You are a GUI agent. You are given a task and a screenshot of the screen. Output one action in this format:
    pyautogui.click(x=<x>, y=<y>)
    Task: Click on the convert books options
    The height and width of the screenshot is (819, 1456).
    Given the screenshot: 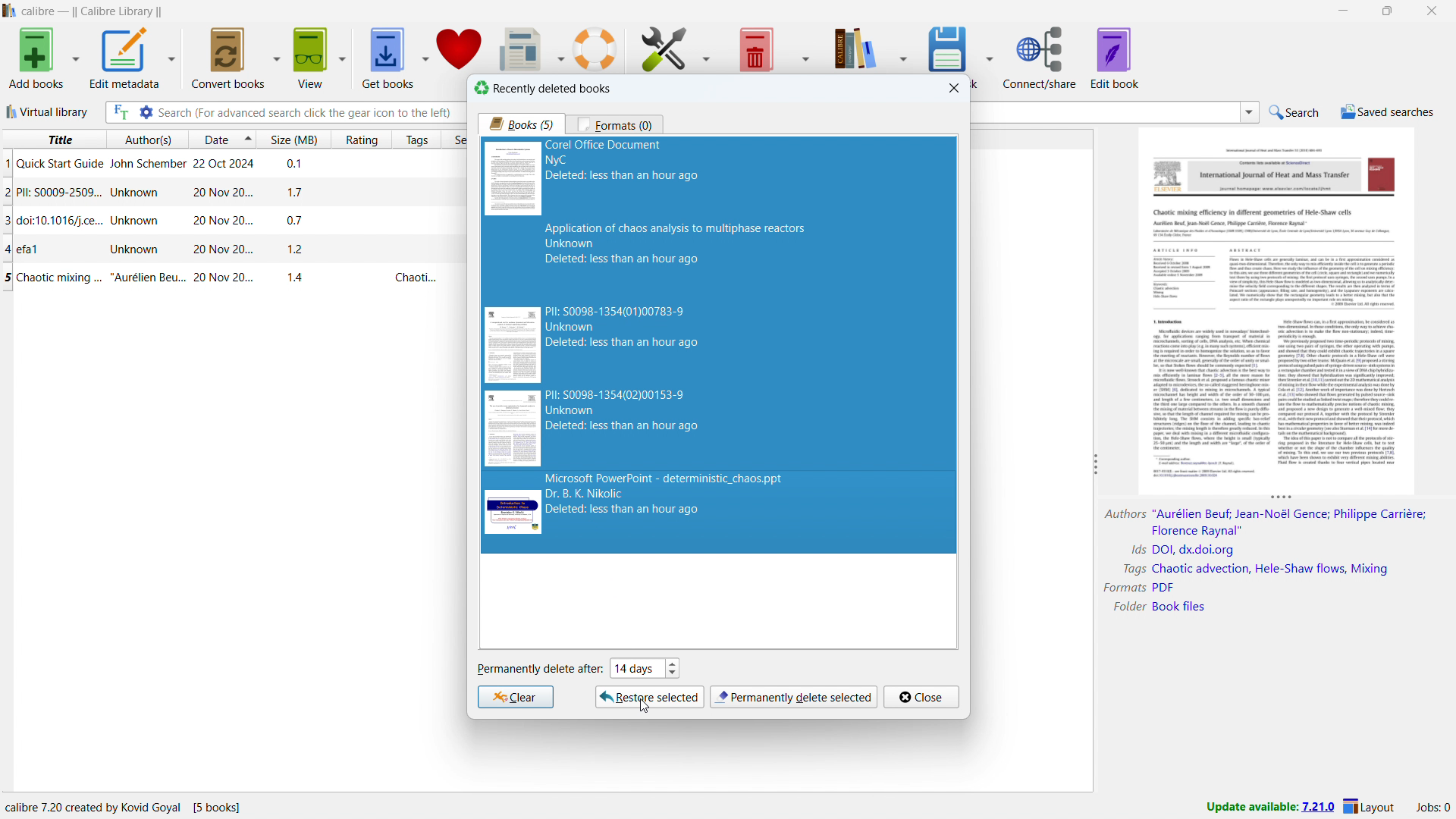 What is the action you would take?
    pyautogui.click(x=276, y=58)
    